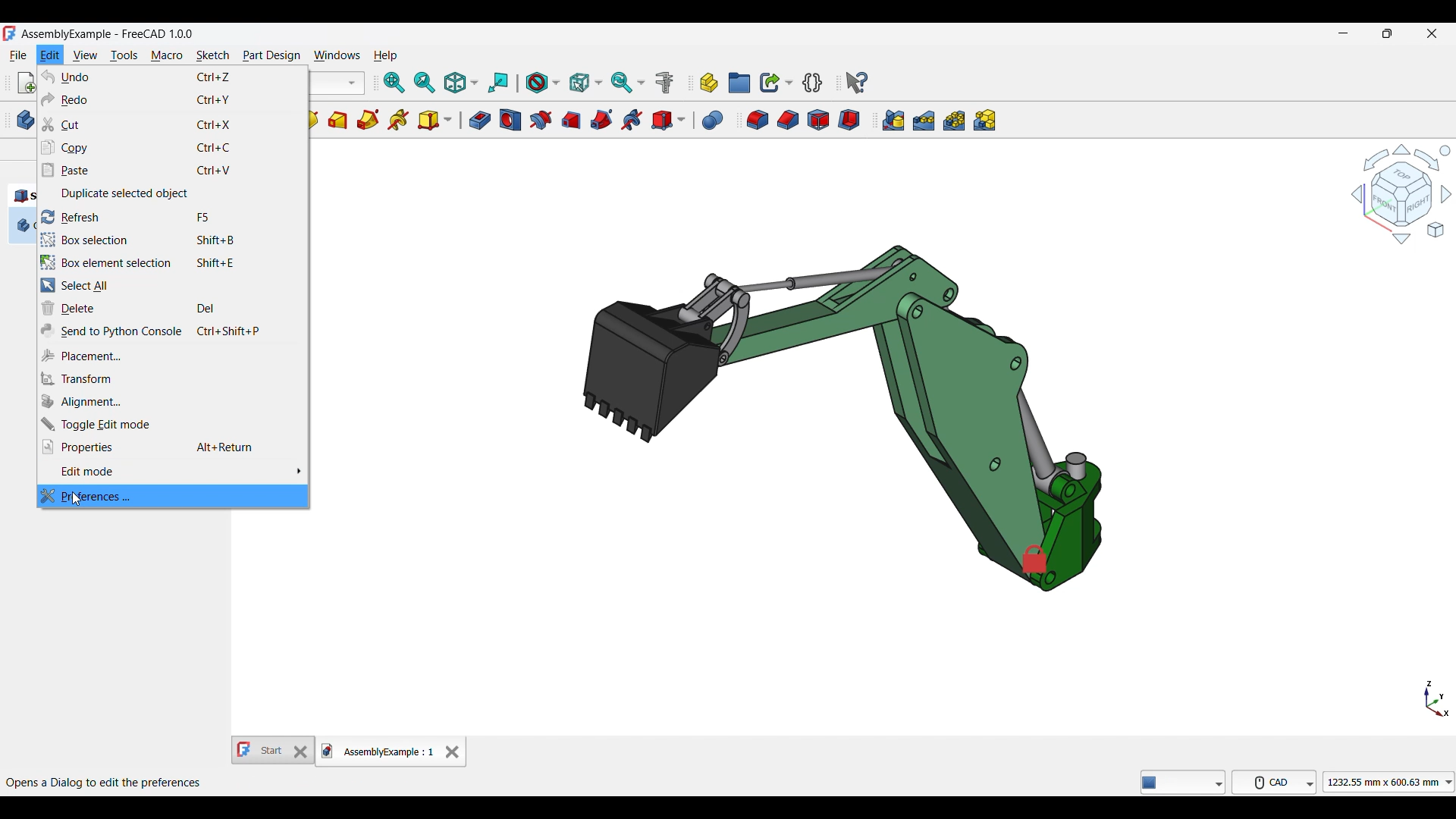 The width and height of the screenshot is (1456, 819). Describe the element at coordinates (173, 286) in the screenshot. I see `Select all` at that location.